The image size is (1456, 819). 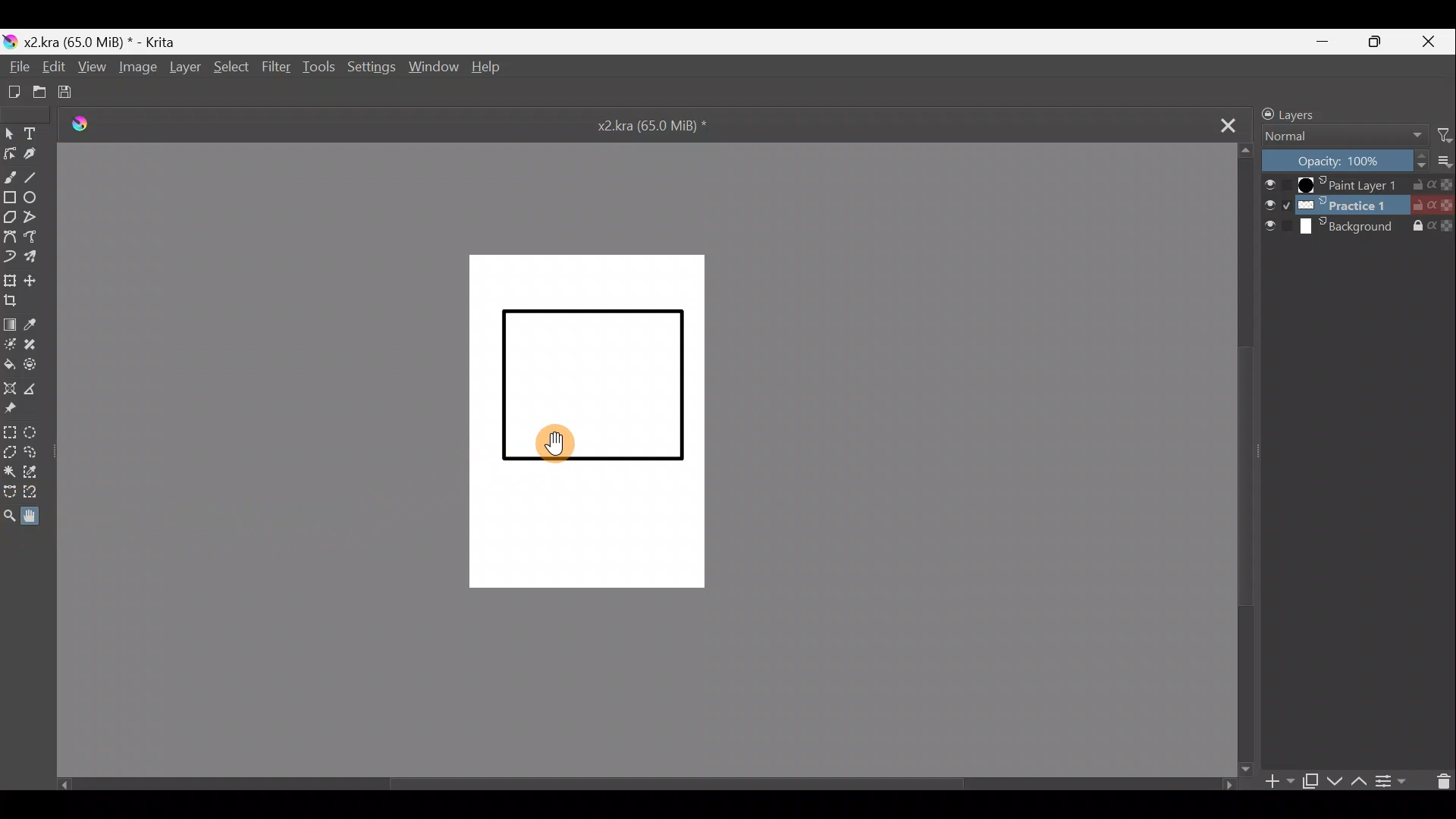 What do you see at coordinates (492, 68) in the screenshot?
I see `Help` at bounding box center [492, 68].